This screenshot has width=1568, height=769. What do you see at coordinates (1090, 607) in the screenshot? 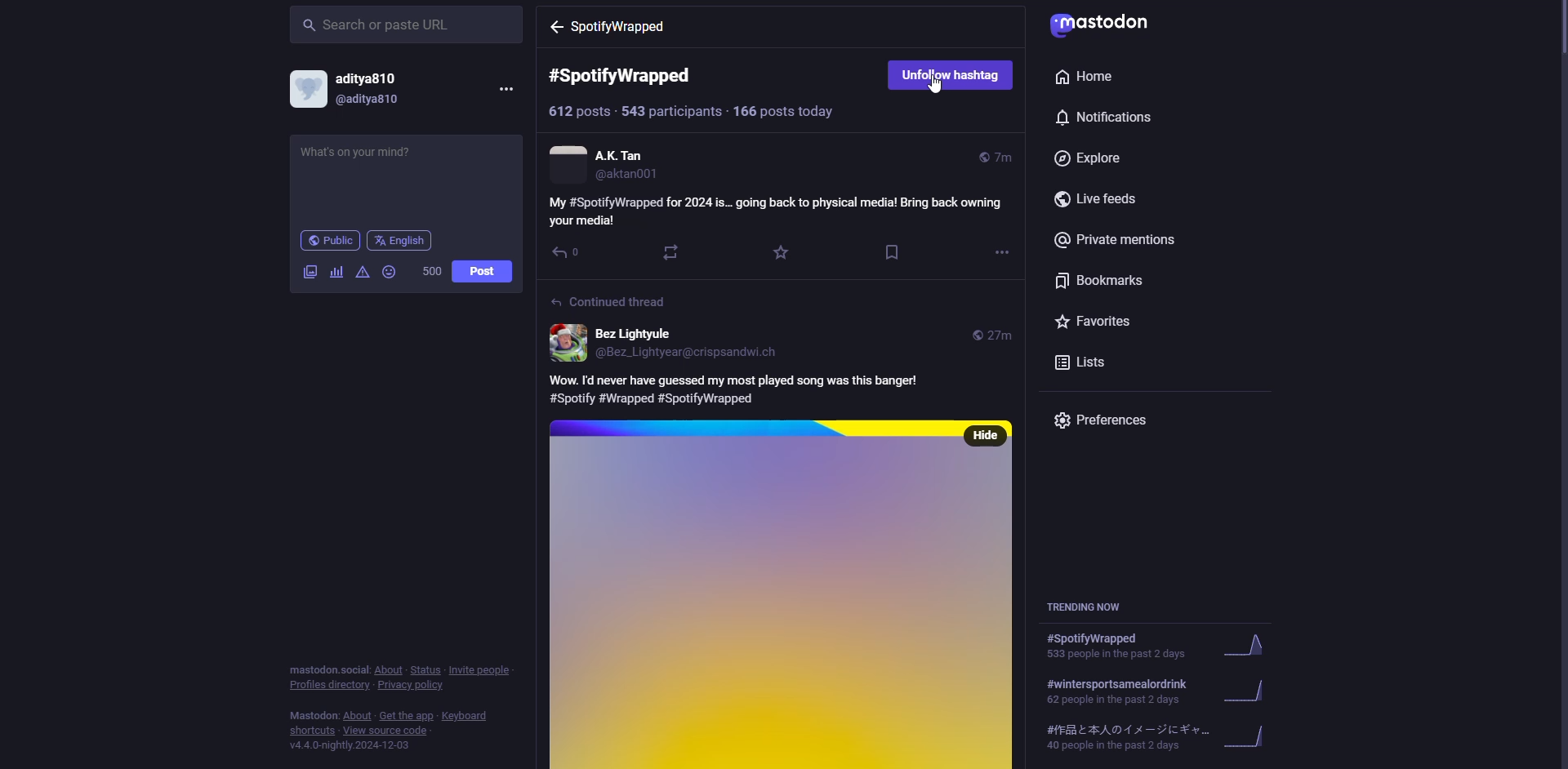
I see `trending ` at bounding box center [1090, 607].